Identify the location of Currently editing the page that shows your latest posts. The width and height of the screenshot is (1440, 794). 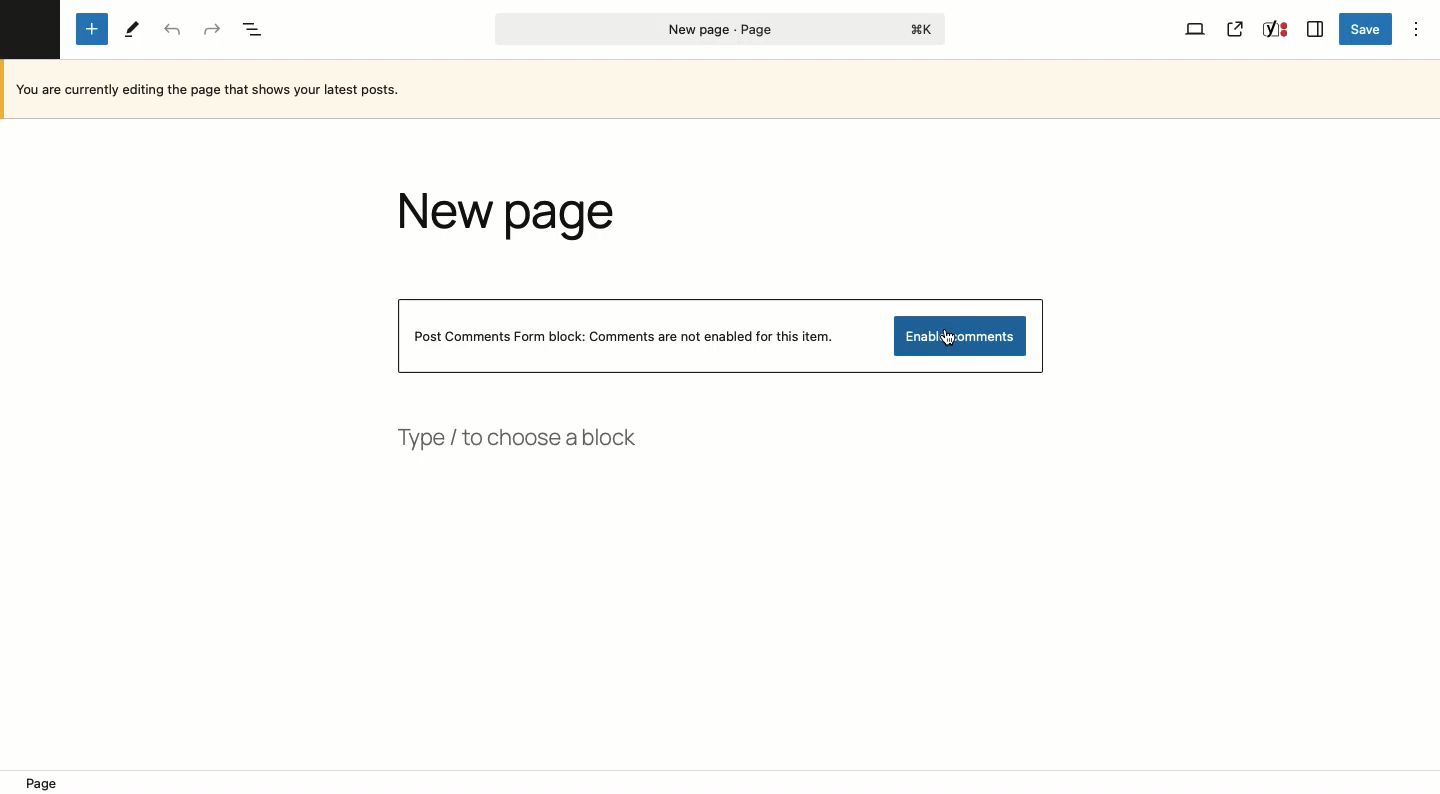
(214, 91).